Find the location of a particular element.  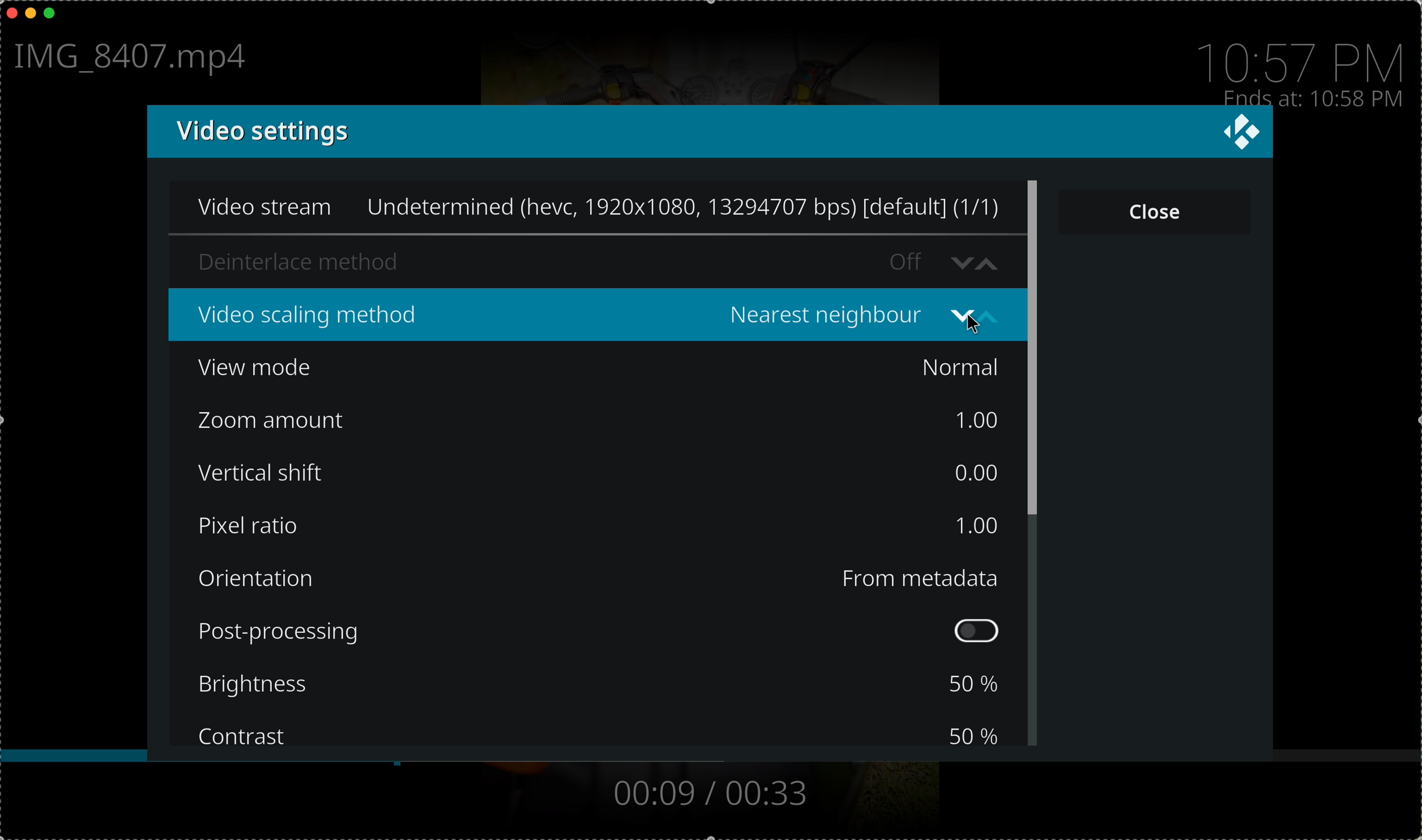

pixel ratio 1.00 is located at coordinates (598, 527).